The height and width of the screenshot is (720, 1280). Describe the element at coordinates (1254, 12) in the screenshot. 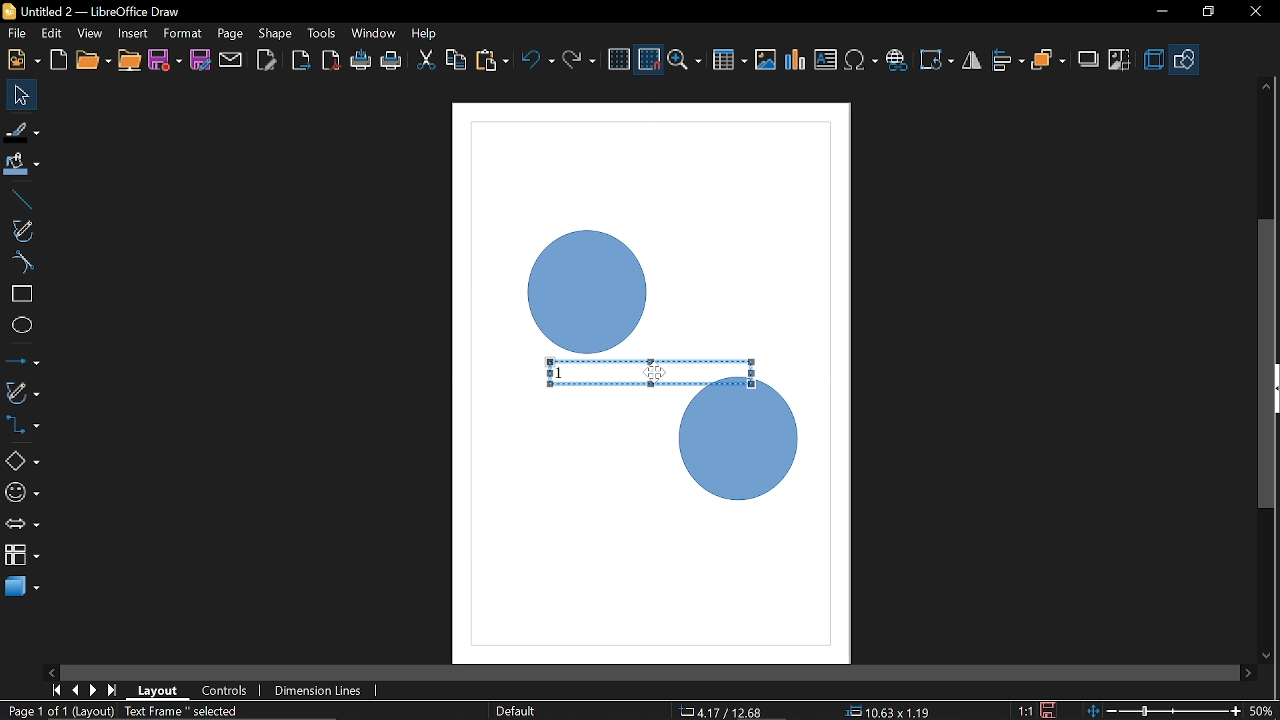

I see `CLose` at that location.